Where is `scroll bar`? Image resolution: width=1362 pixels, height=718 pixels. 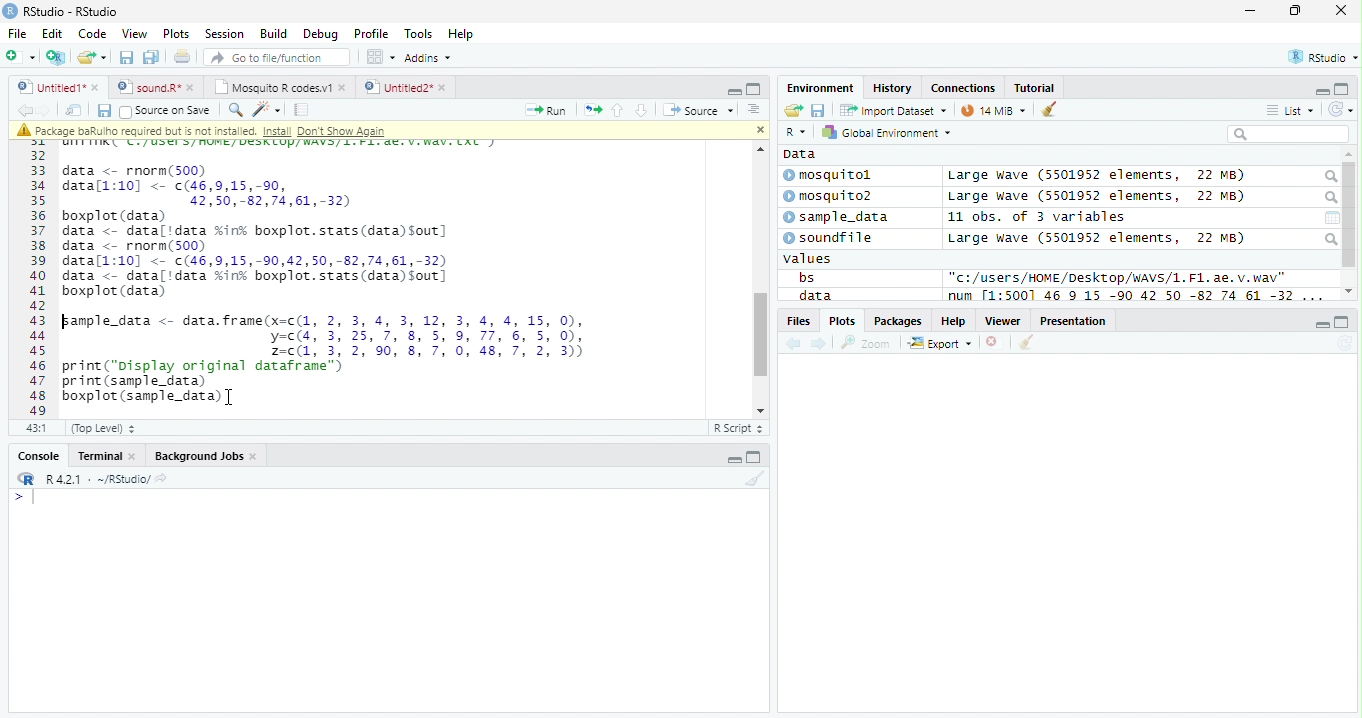 scroll bar is located at coordinates (759, 335).